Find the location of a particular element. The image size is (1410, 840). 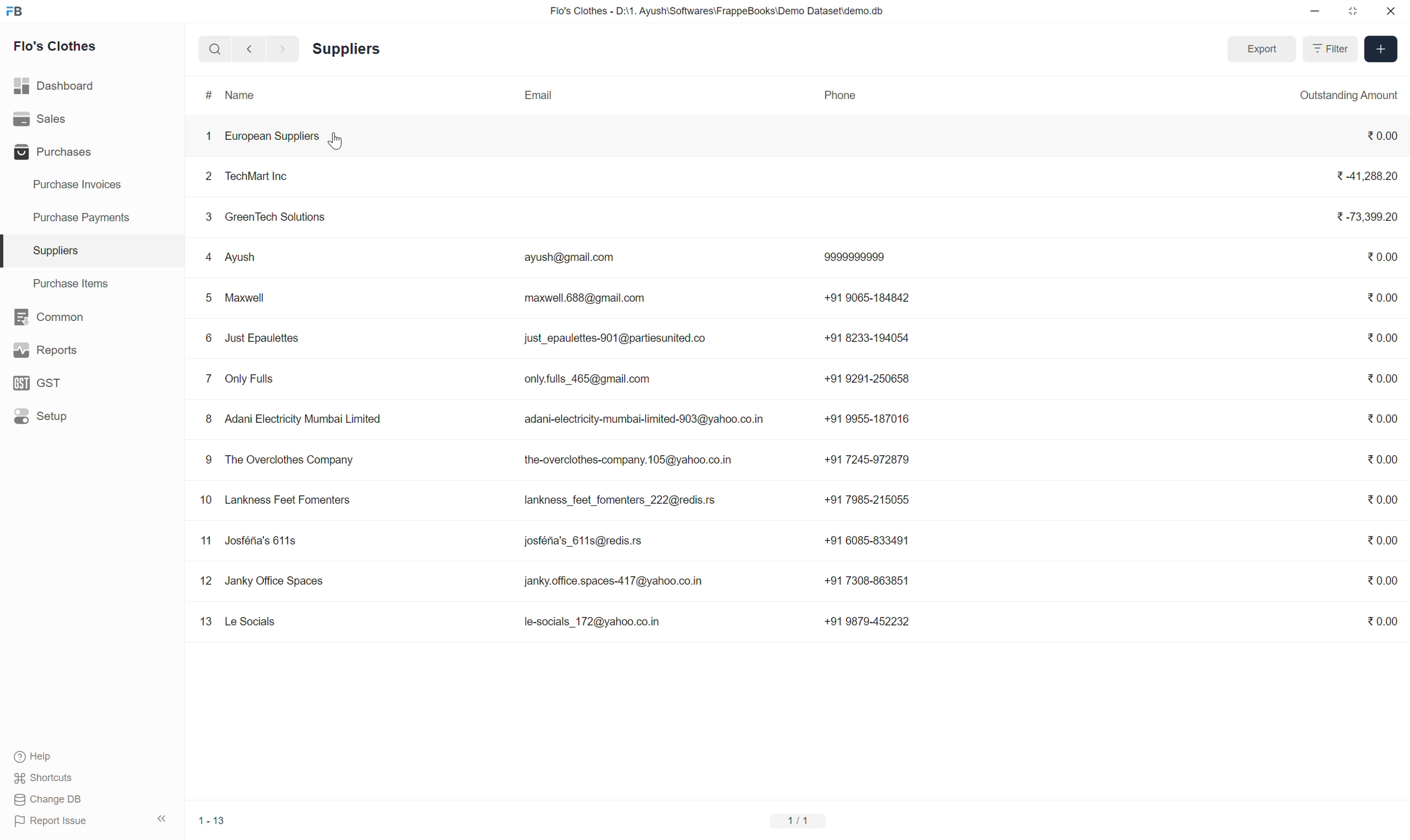

The Overclothes Company is located at coordinates (306, 458).